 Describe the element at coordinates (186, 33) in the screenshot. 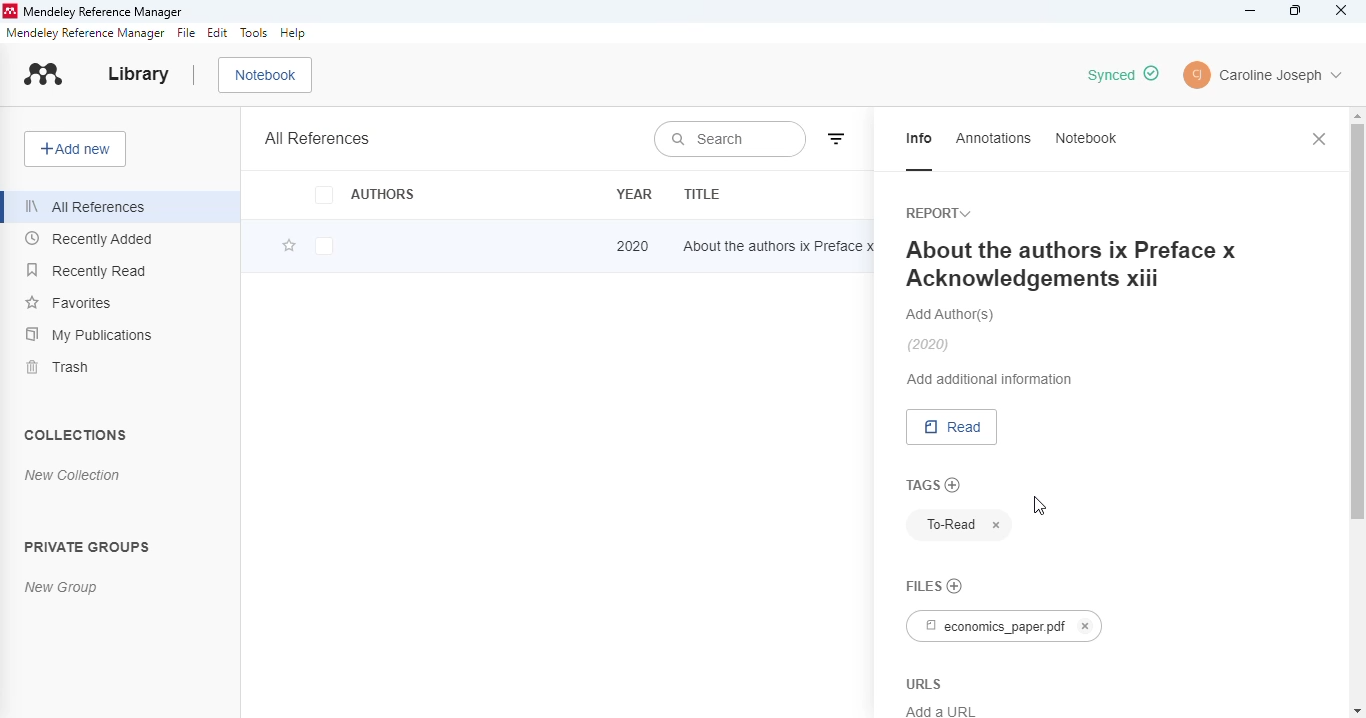

I see `file` at that location.